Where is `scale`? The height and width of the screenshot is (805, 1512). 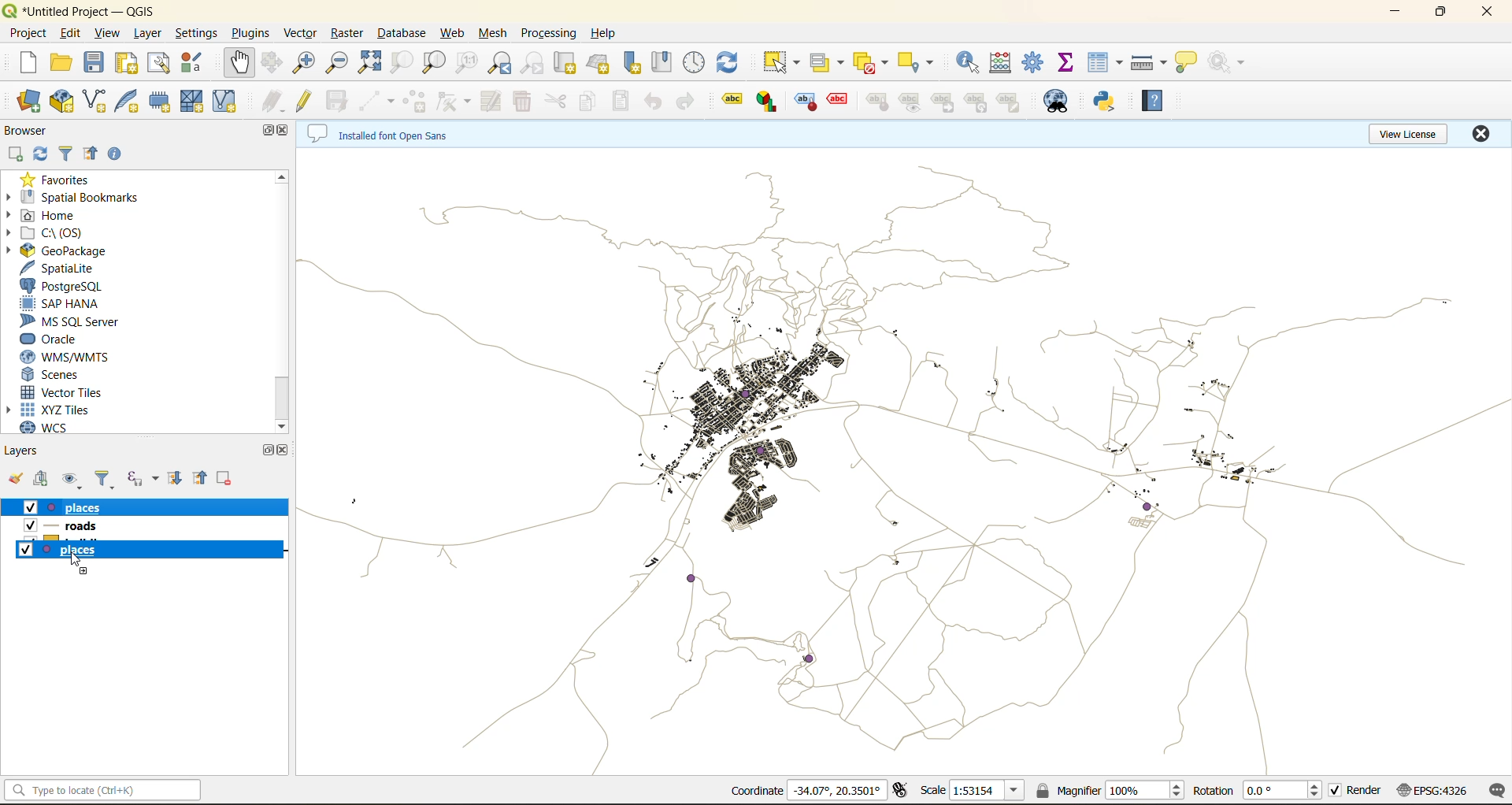 scale is located at coordinates (977, 791).